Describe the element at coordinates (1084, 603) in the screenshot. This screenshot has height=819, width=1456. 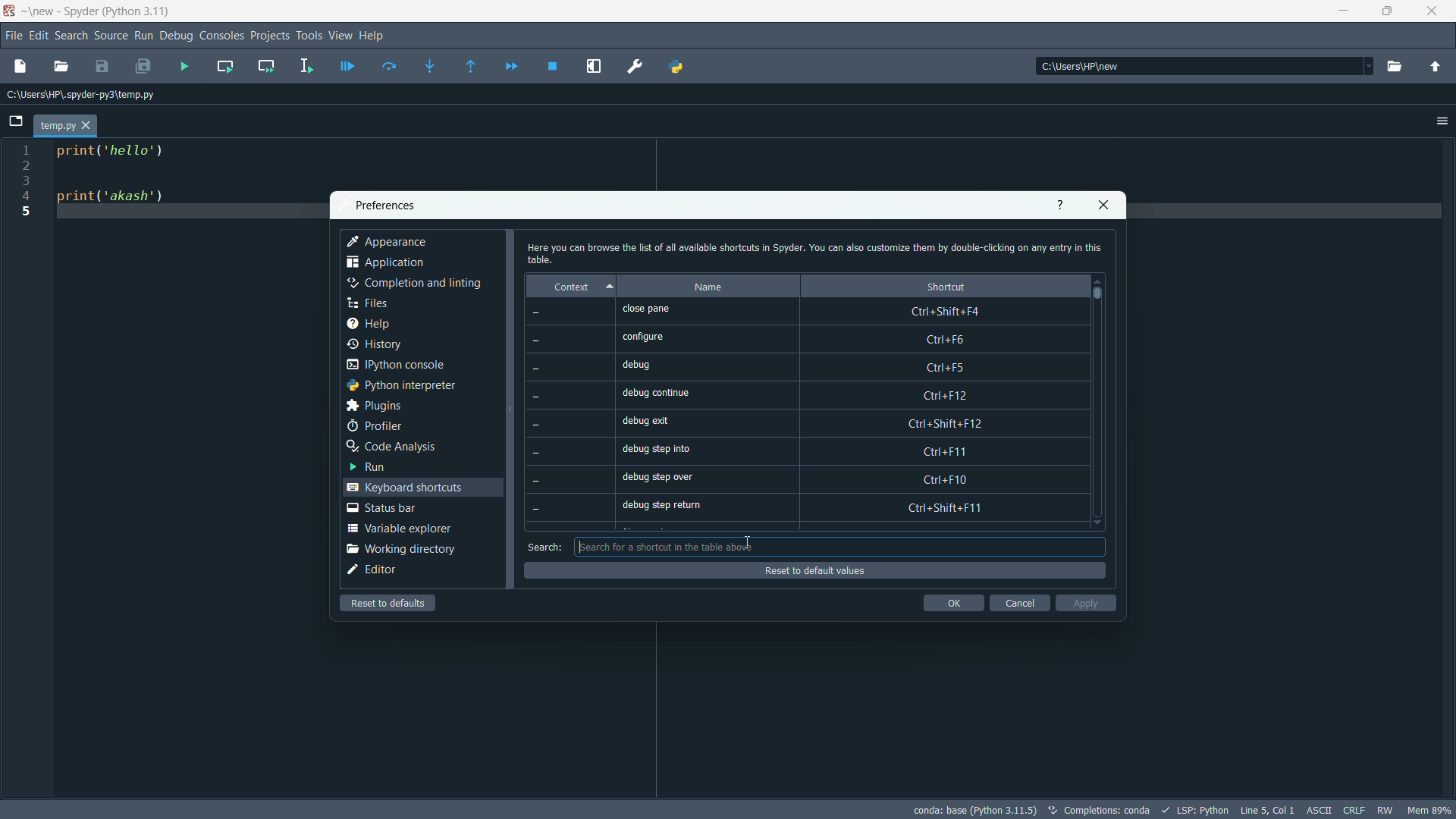
I see `apply` at that location.